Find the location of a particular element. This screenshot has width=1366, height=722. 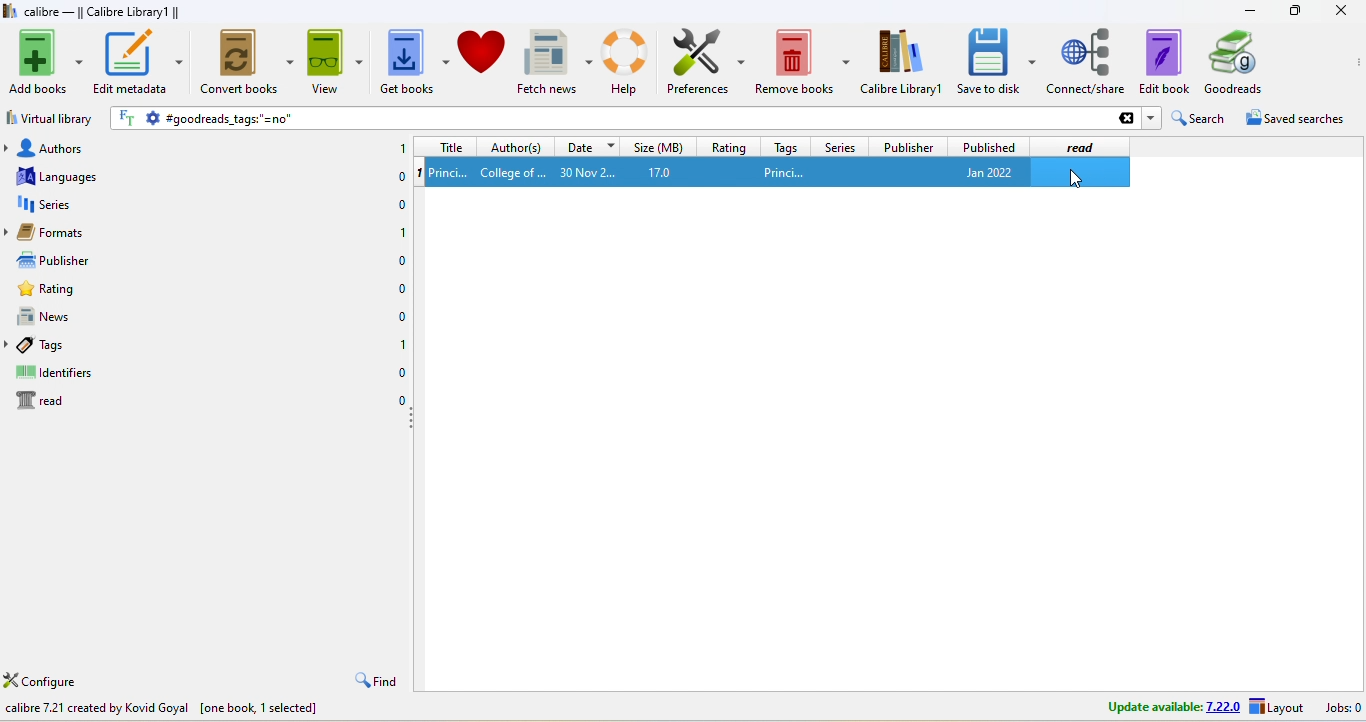

published is located at coordinates (988, 146).